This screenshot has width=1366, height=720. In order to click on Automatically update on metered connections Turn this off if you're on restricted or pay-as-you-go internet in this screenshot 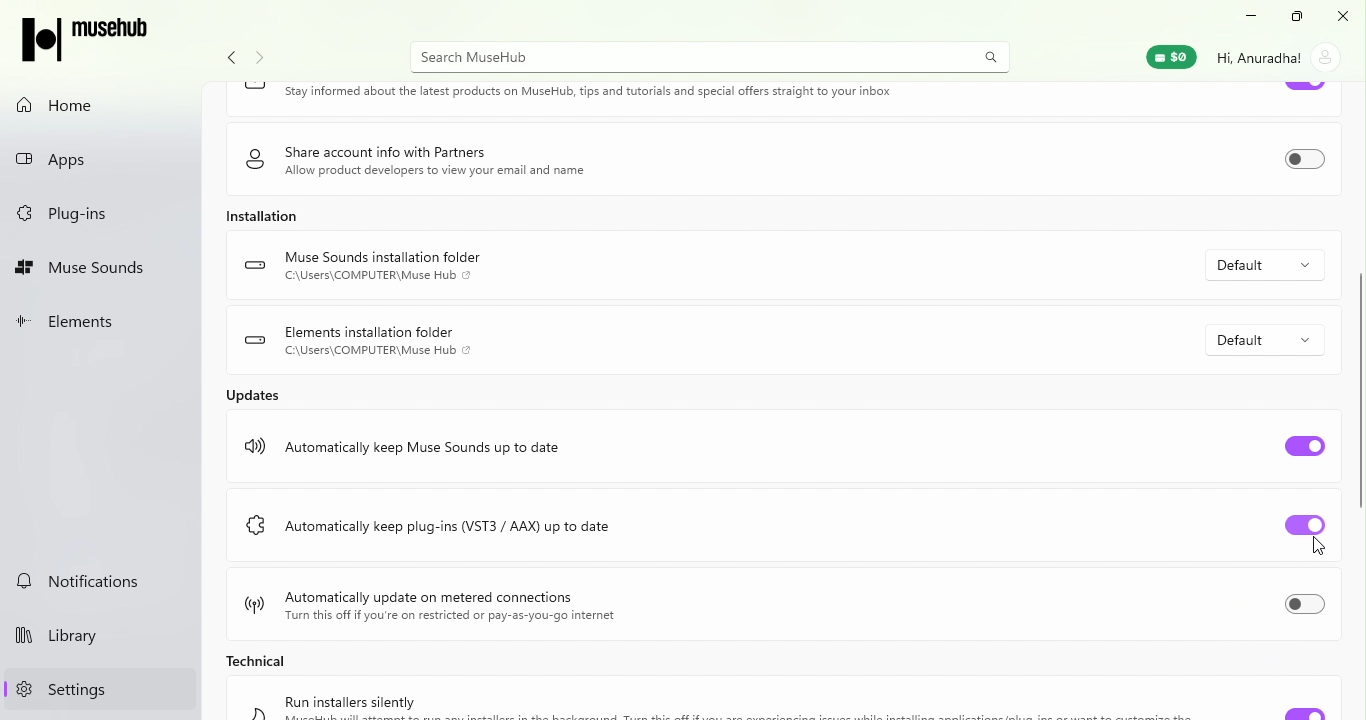, I will do `click(458, 607)`.